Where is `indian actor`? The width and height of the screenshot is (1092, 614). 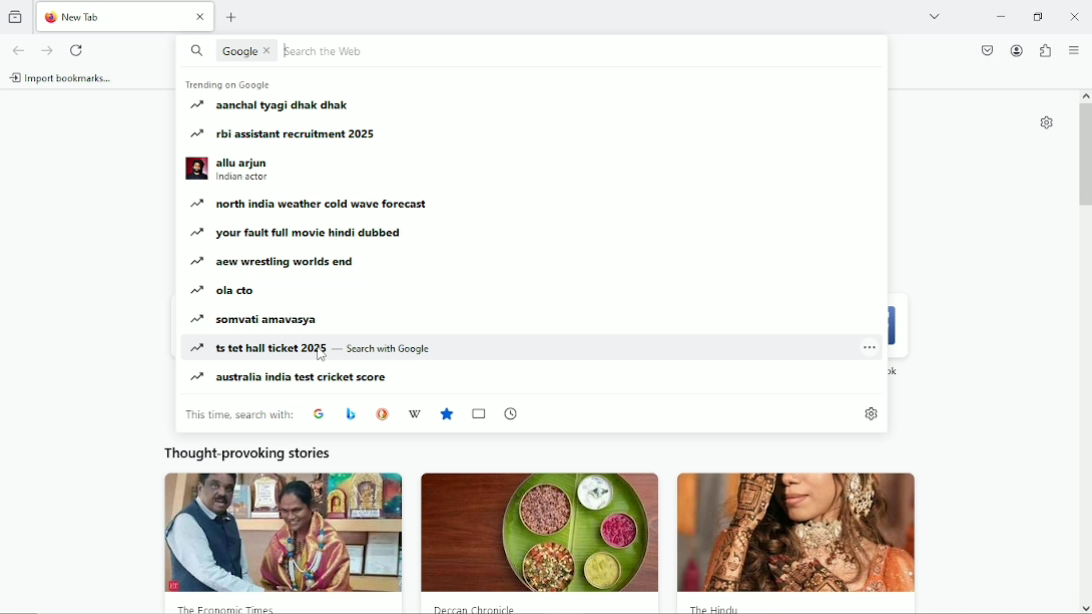
indian actor is located at coordinates (245, 179).